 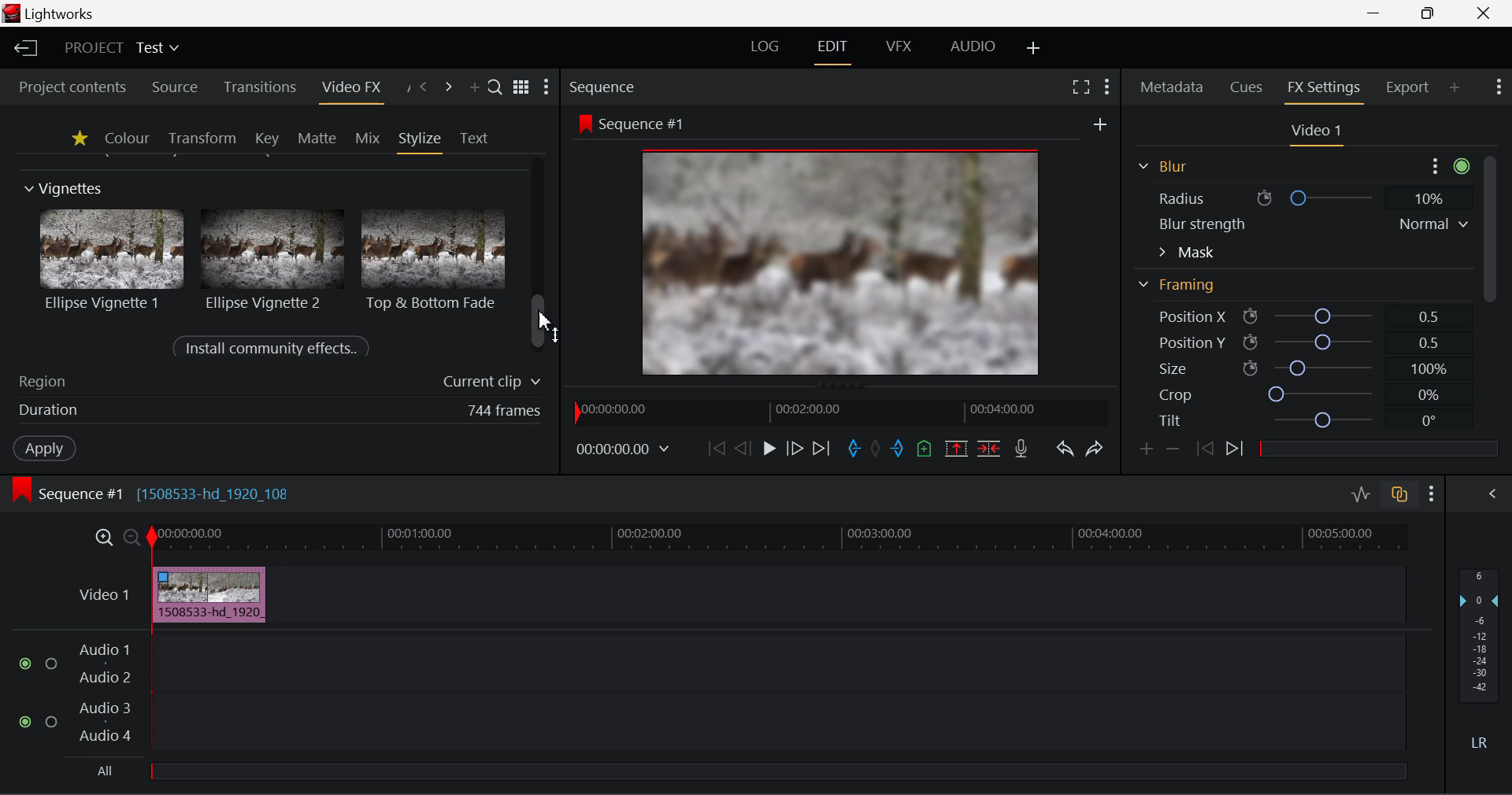 What do you see at coordinates (696, 708) in the screenshot?
I see `Audio Input Field` at bounding box center [696, 708].